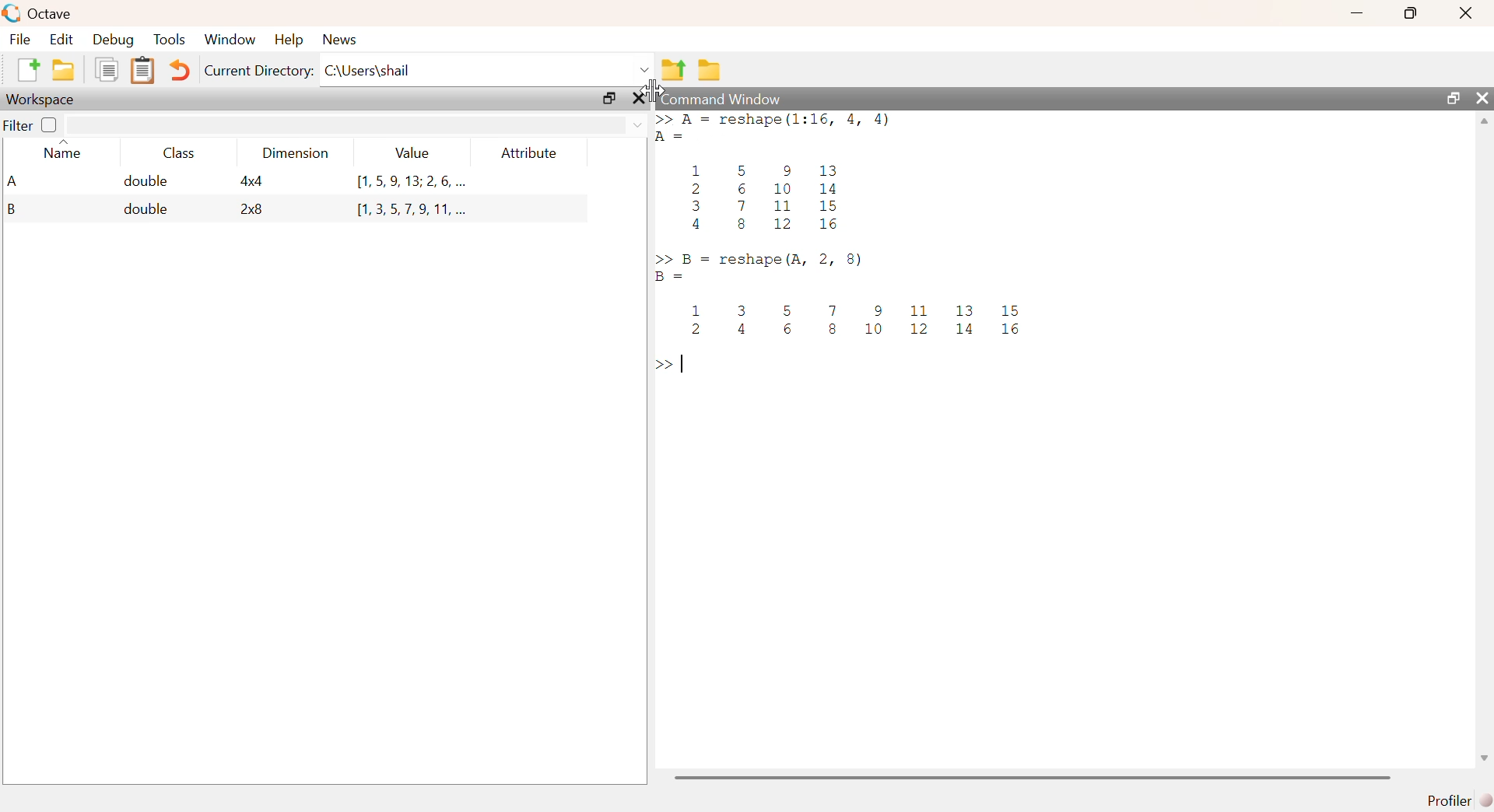 The width and height of the screenshot is (1494, 812). Describe the element at coordinates (64, 152) in the screenshot. I see `name` at that location.